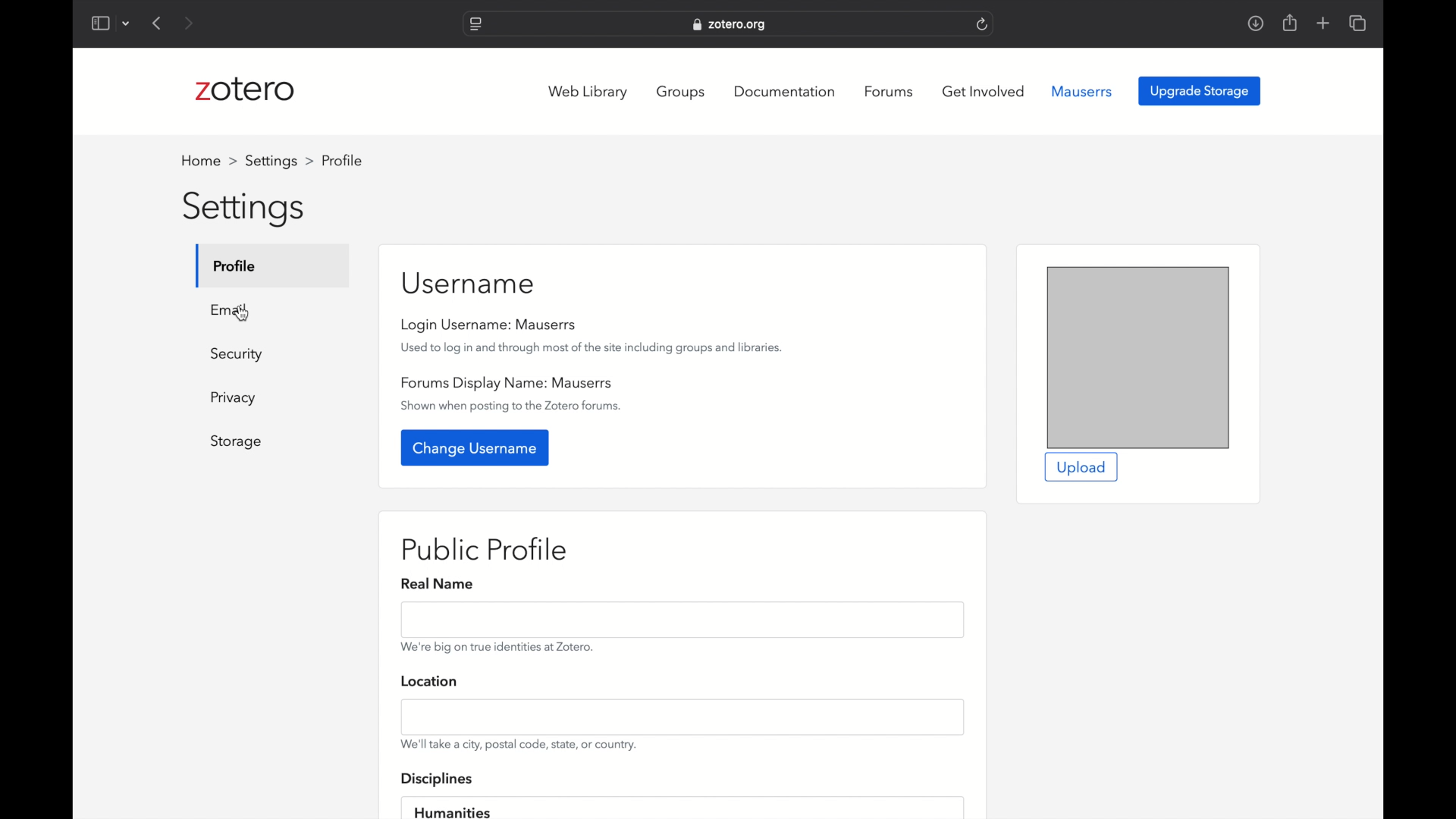 This screenshot has width=1456, height=819. I want to click on refresh, so click(983, 24).